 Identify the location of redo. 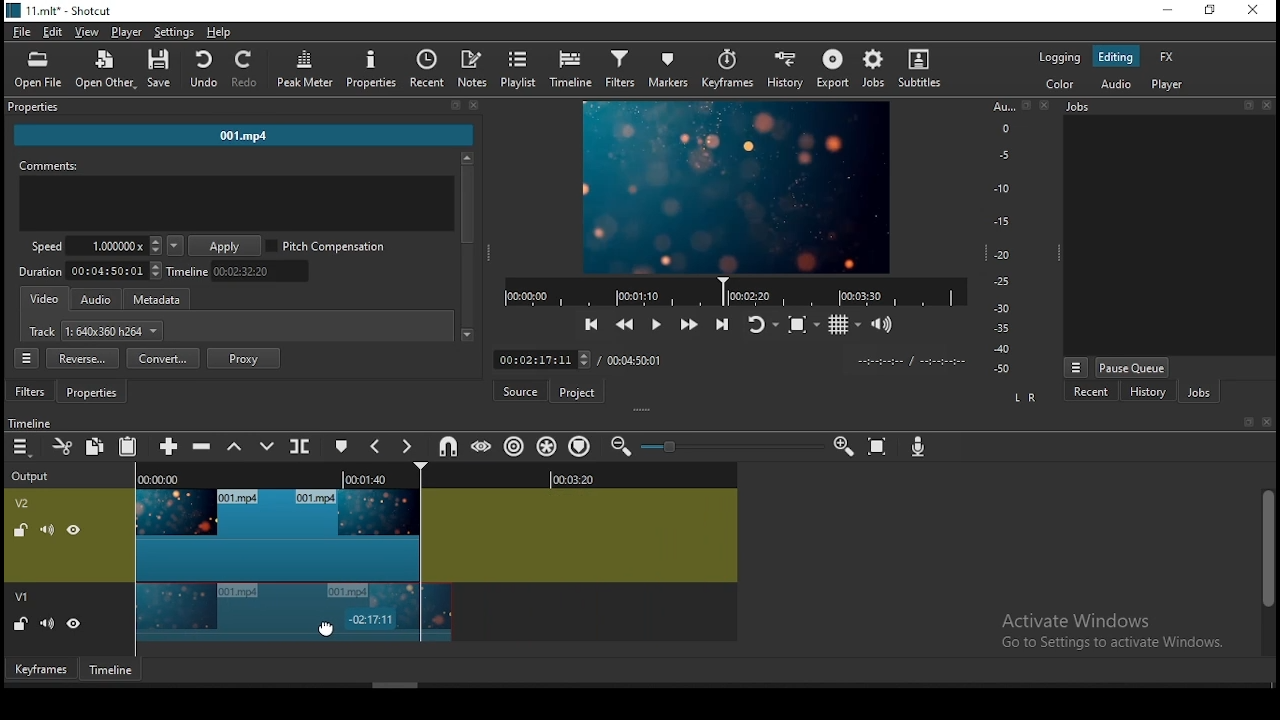
(247, 70).